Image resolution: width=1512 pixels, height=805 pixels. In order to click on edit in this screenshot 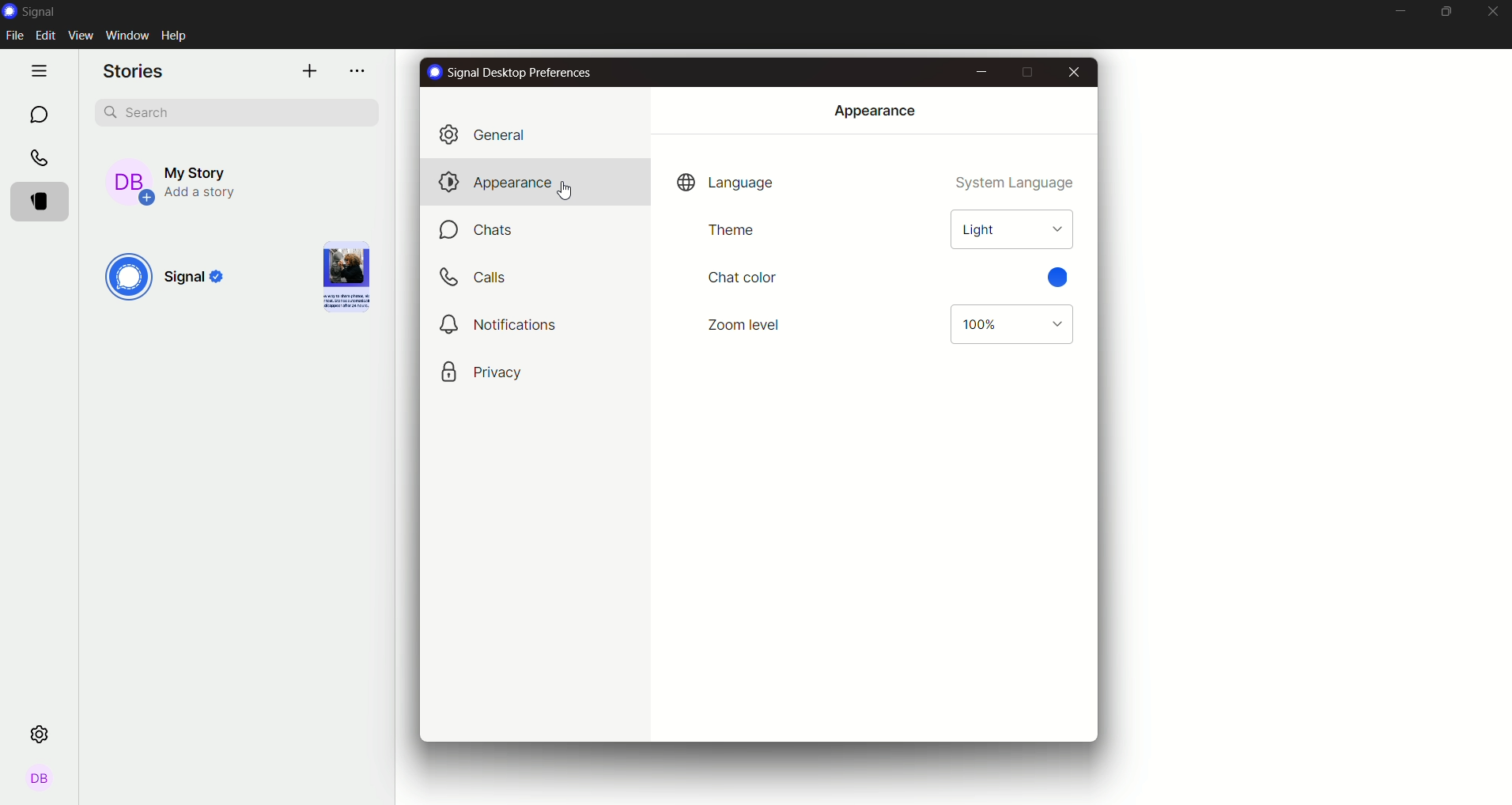, I will do `click(47, 37)`.